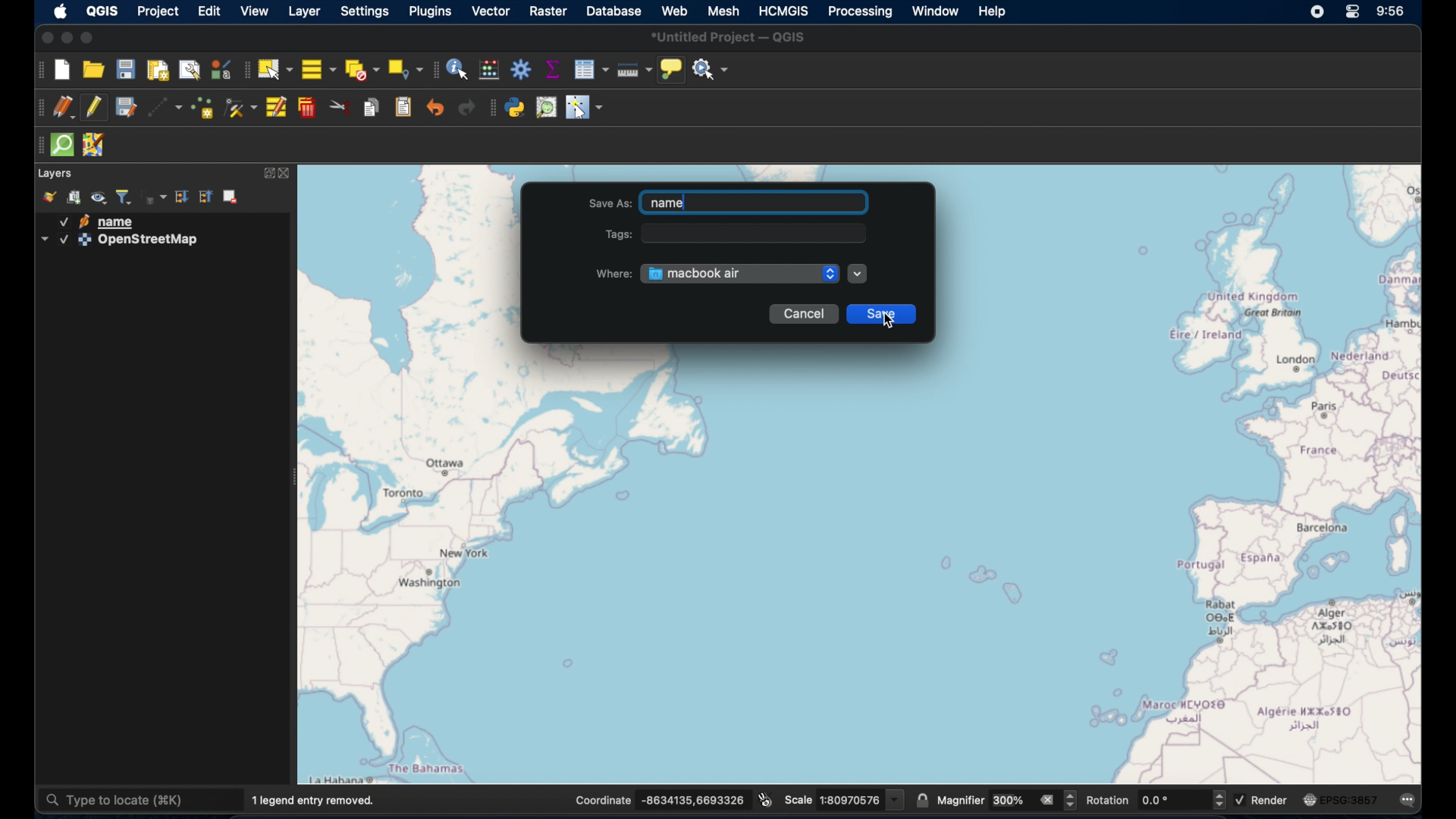 This screenshot has height=819, width=1456. What do you see at coordinates (190, 69) in the screenshot?
I see `show layout manager` at bounding box center [190, 69].